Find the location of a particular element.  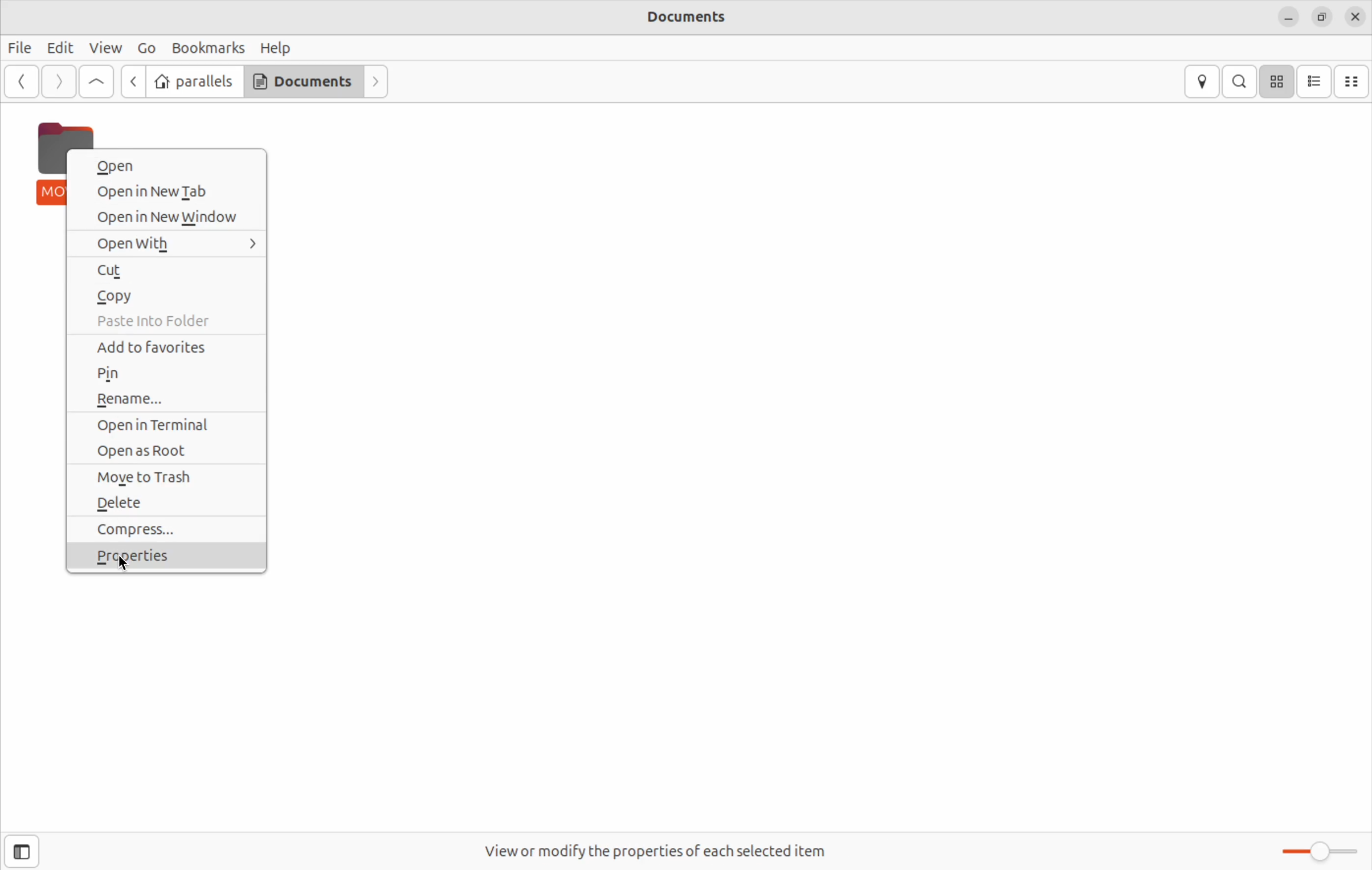

Search is located at coordinates (1241, 82).